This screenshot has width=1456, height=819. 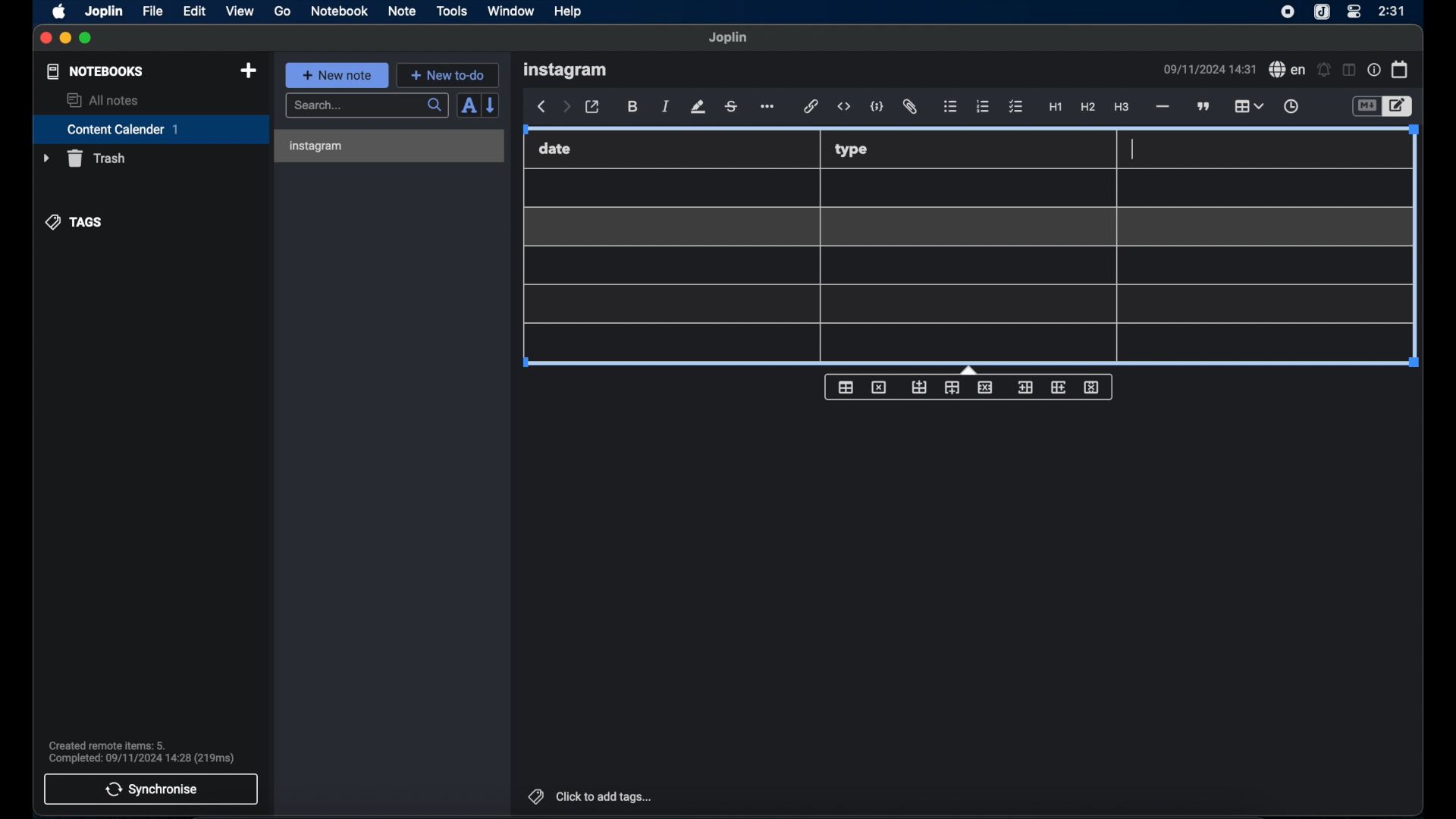 What do you see at coordinates (249, 71) in the screenshot?
I see `new notebook` at bounding box center [249, 71].